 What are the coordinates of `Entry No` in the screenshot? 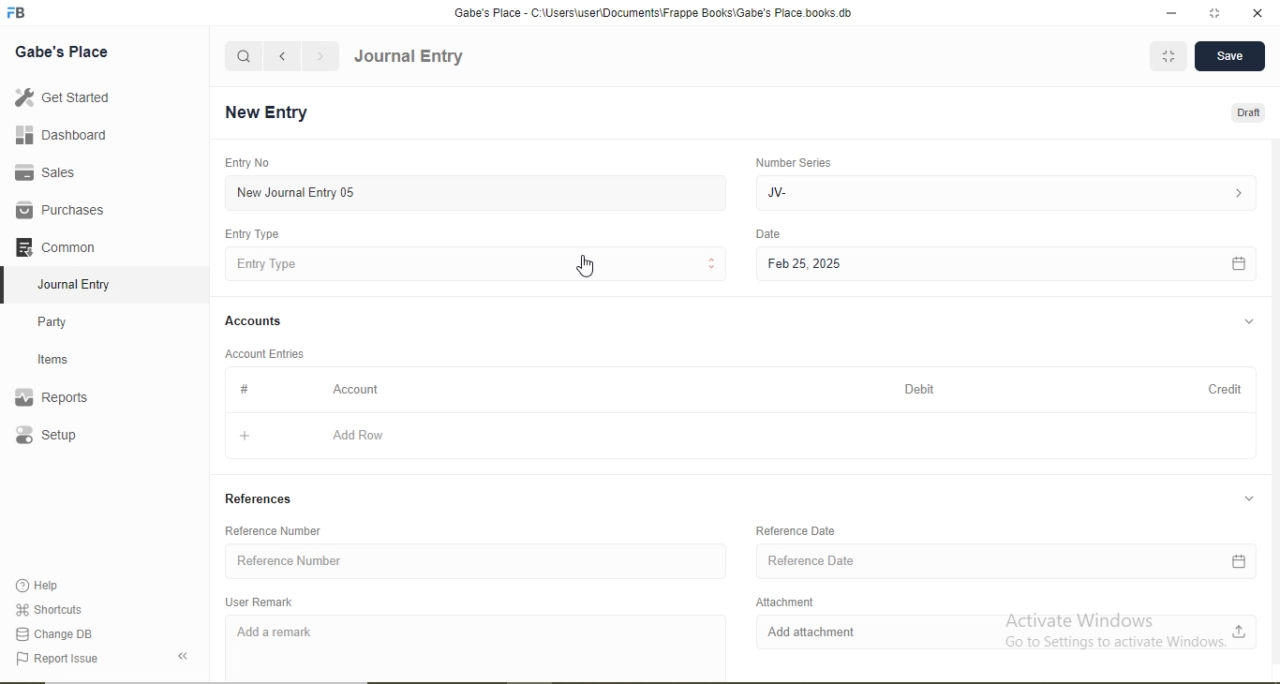 It's located at (244, 162).